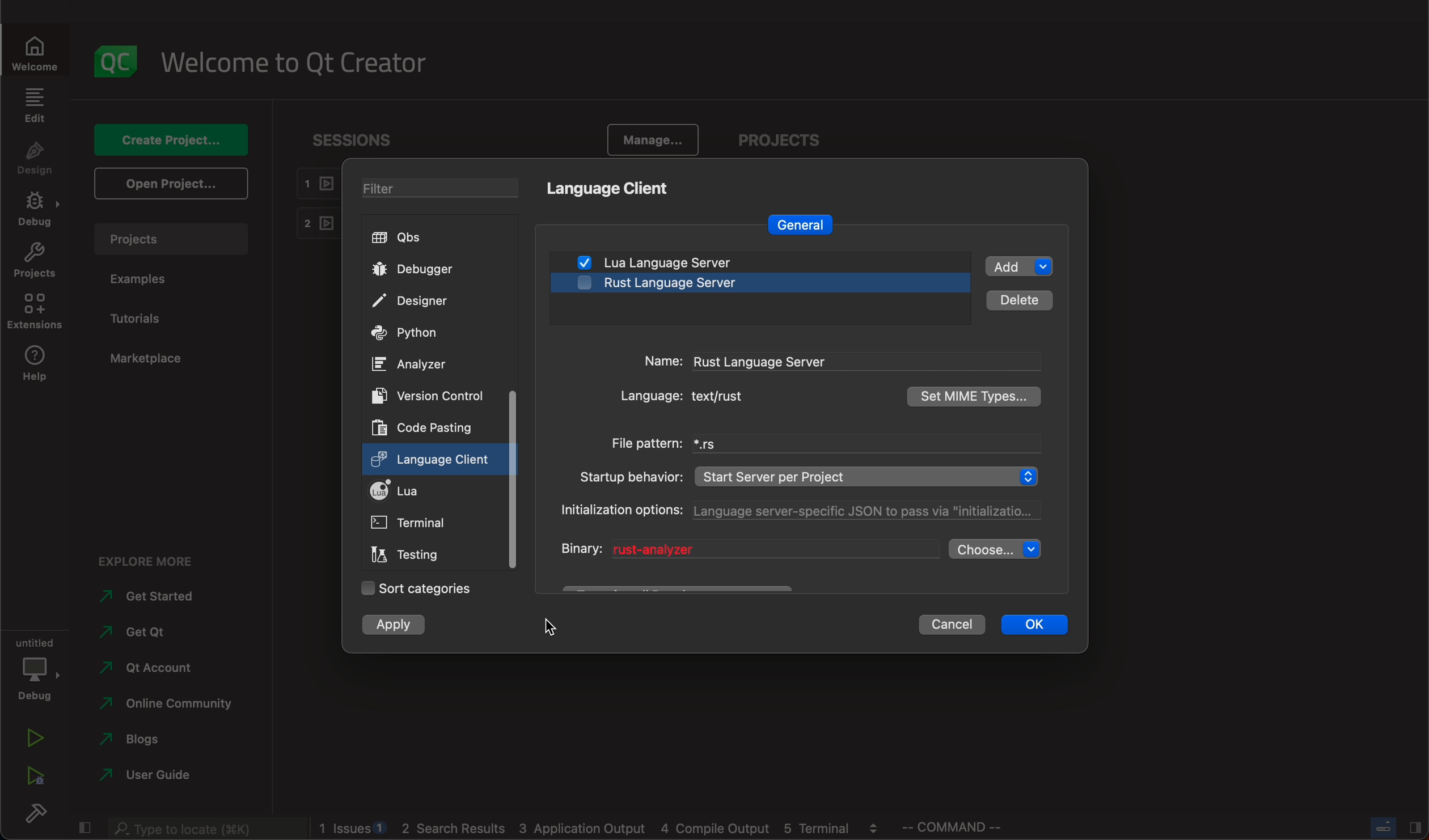 Image resolution: width=1429 pixels, height=840 pixels. I want to click on filepattern, so click(818, 443).